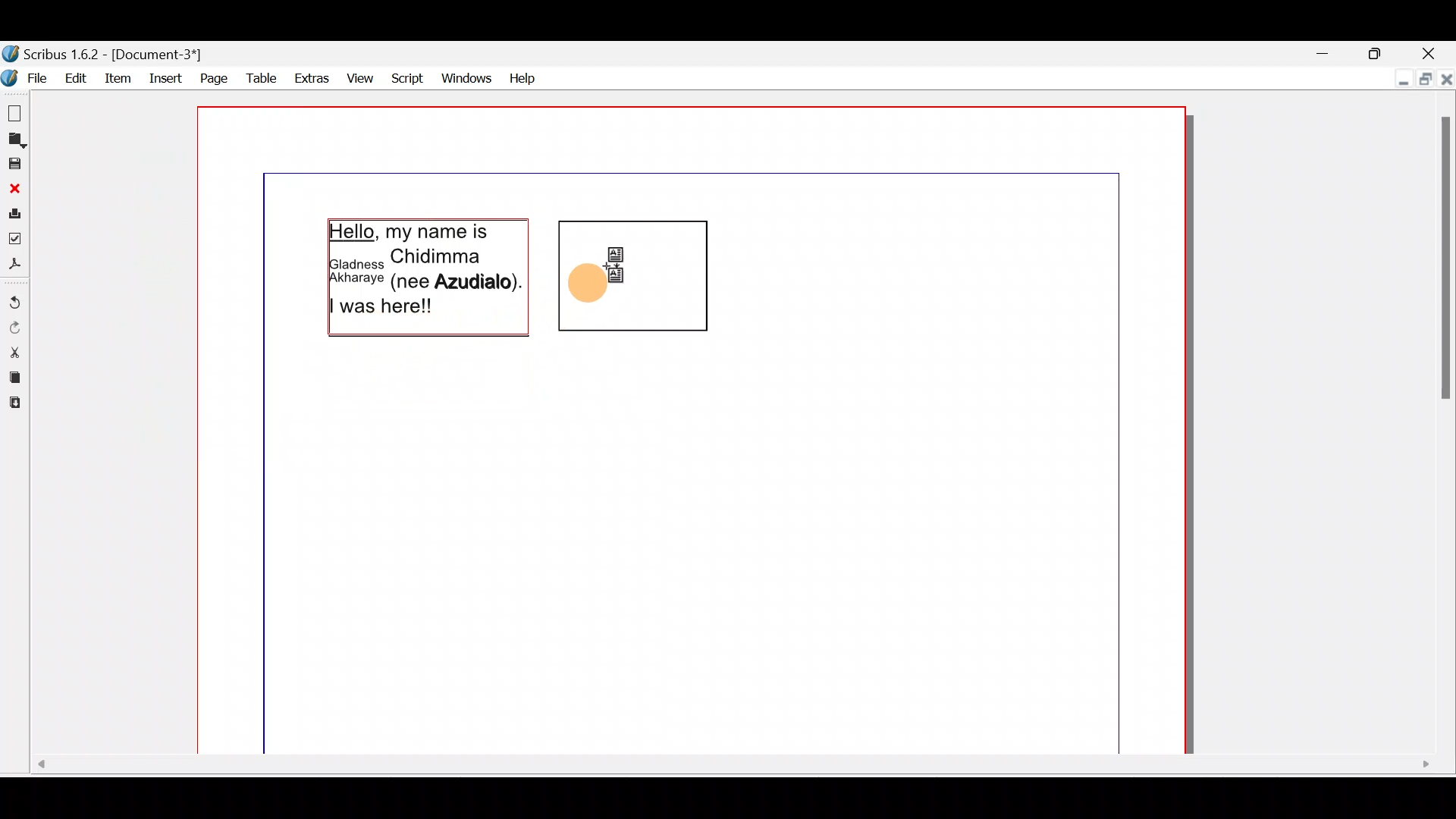  Describe the element at coordinates (14, 163) in the screenshot. I see `Save` at that location.